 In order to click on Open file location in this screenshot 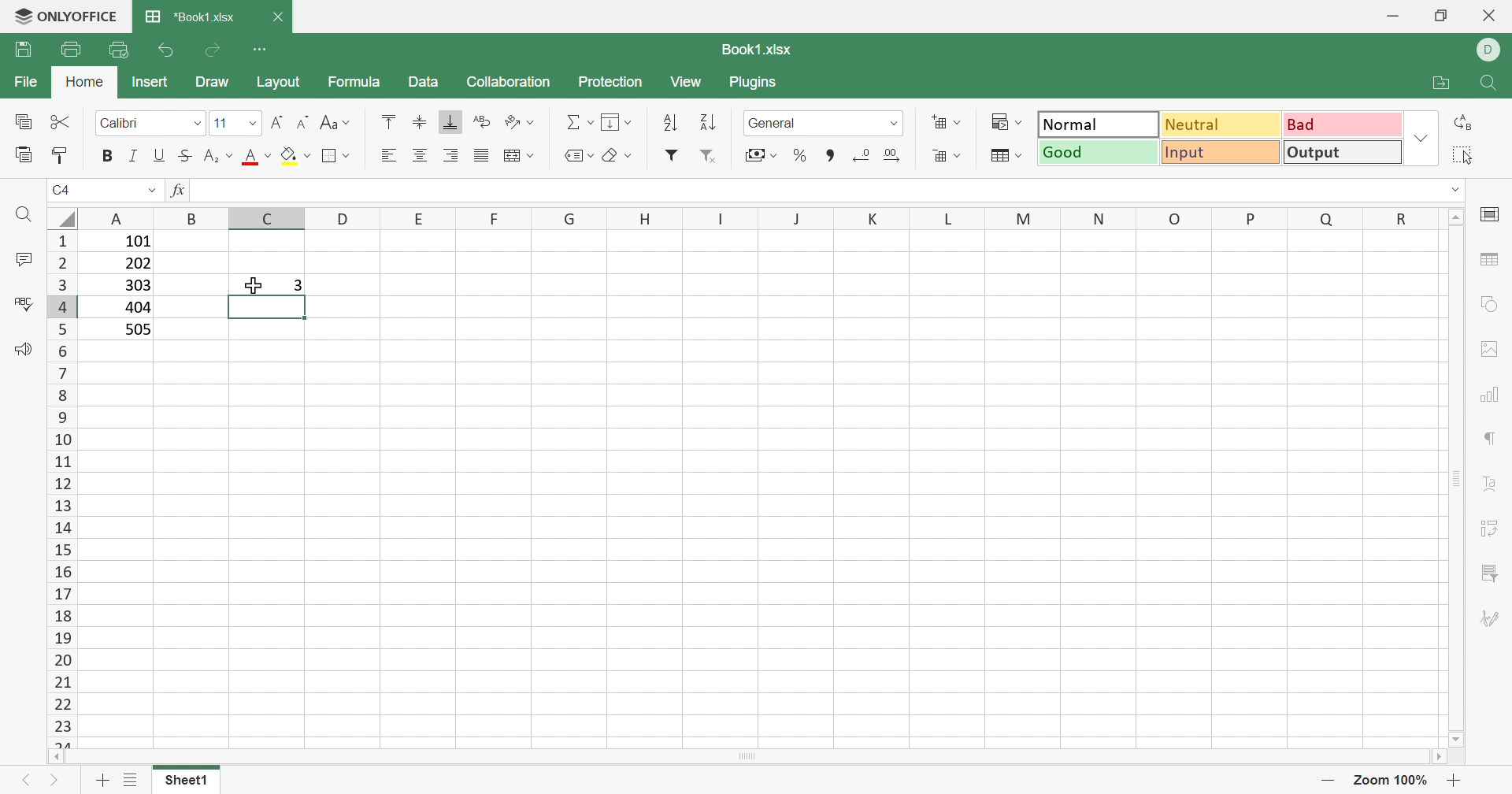, I will do `click(1433, 82)`.